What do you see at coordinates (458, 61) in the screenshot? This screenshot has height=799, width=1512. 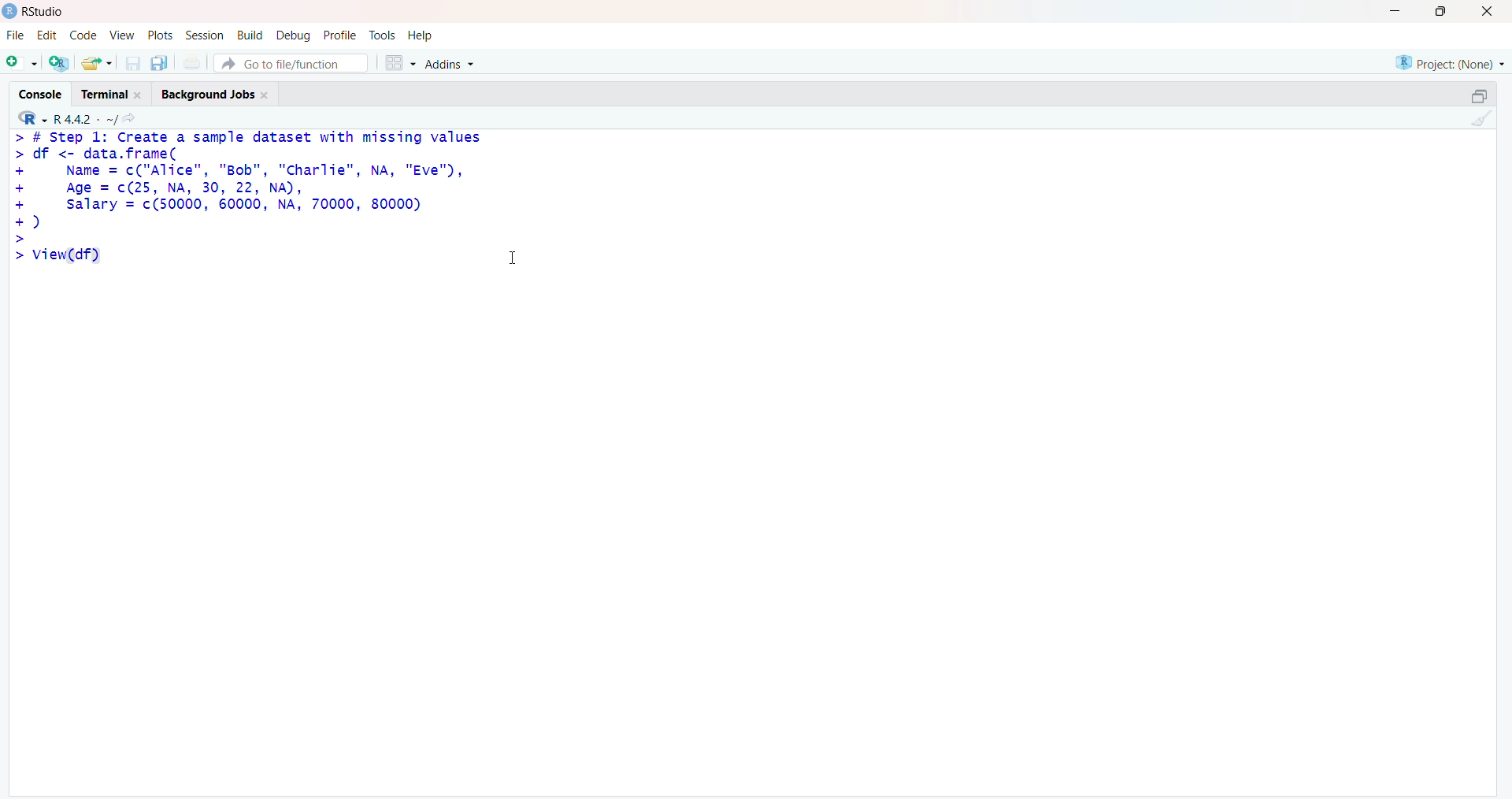 I see `Addins` at bounding box center [458, 61].